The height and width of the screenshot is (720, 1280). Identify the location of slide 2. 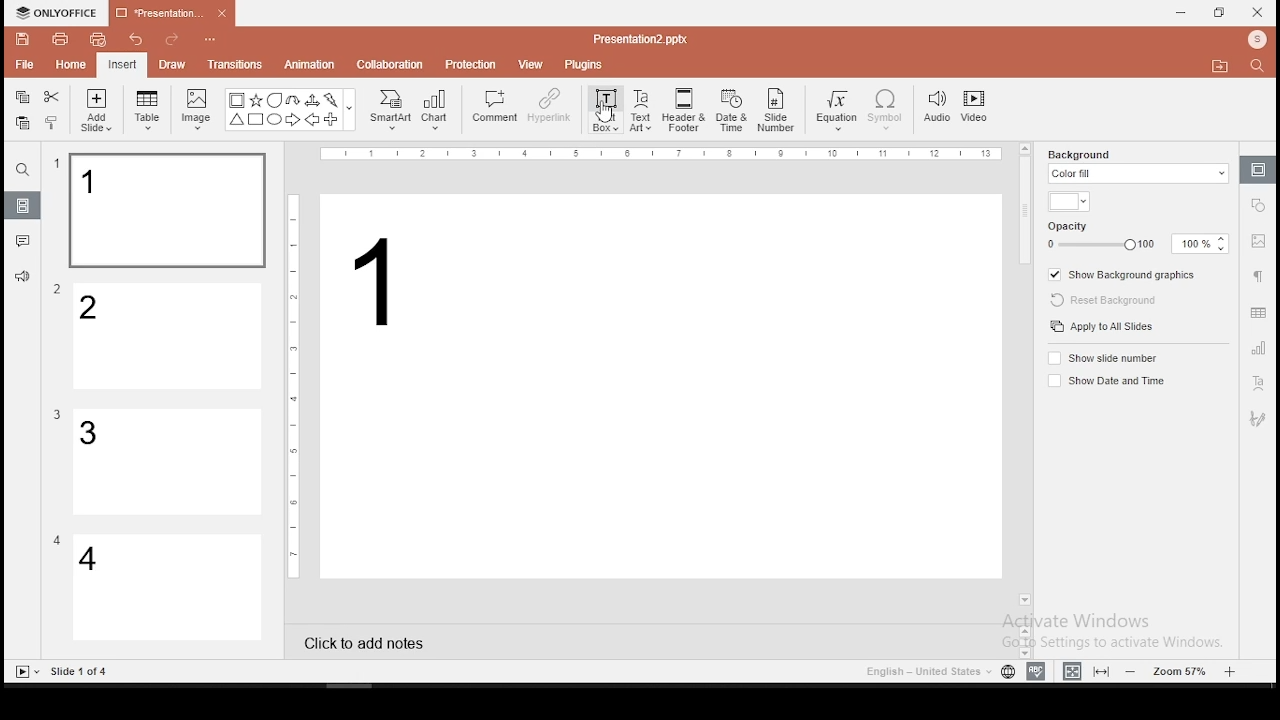
(169, 337).